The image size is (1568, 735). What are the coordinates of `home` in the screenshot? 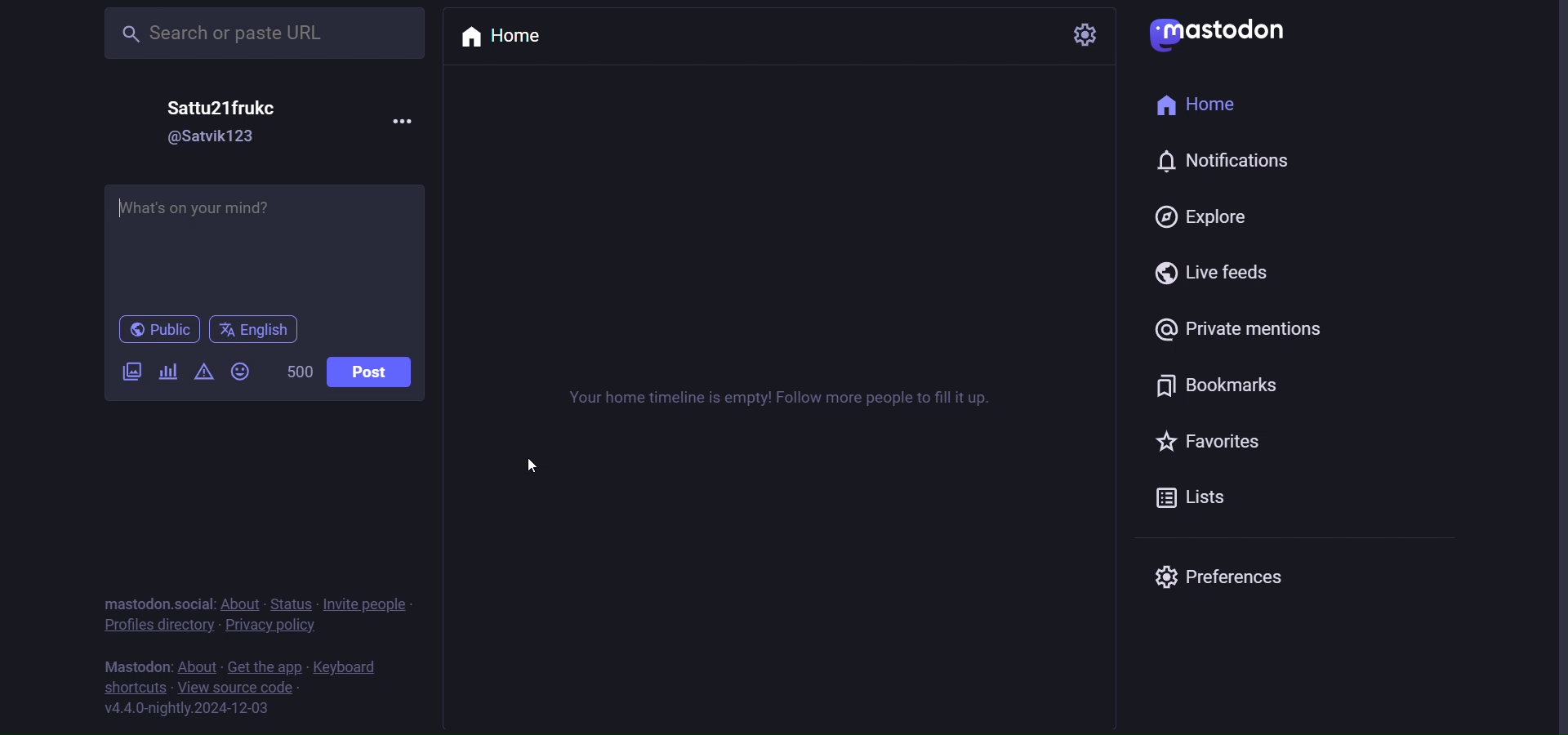 It's located at (1201, 105).